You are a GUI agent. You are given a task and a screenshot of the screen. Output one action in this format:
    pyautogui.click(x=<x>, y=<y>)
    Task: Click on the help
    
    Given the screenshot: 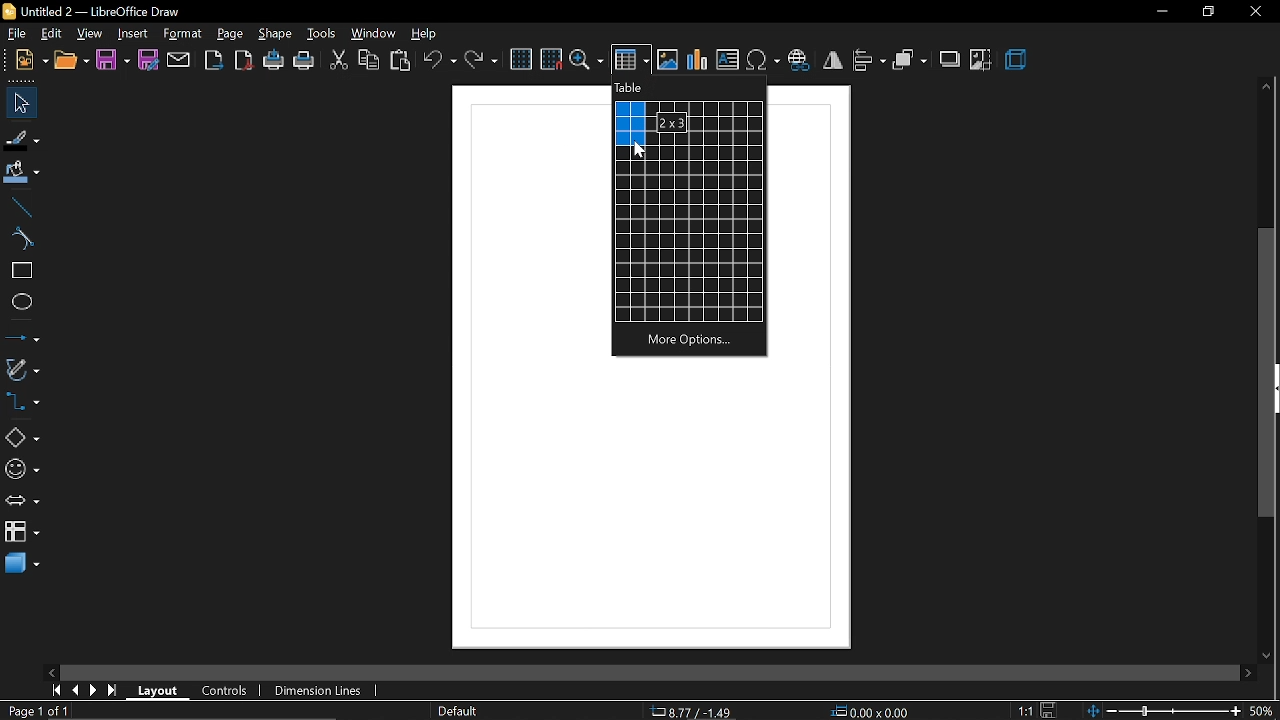 What is the action you would take?
    pyautogui.click(x=422, y=34)
    